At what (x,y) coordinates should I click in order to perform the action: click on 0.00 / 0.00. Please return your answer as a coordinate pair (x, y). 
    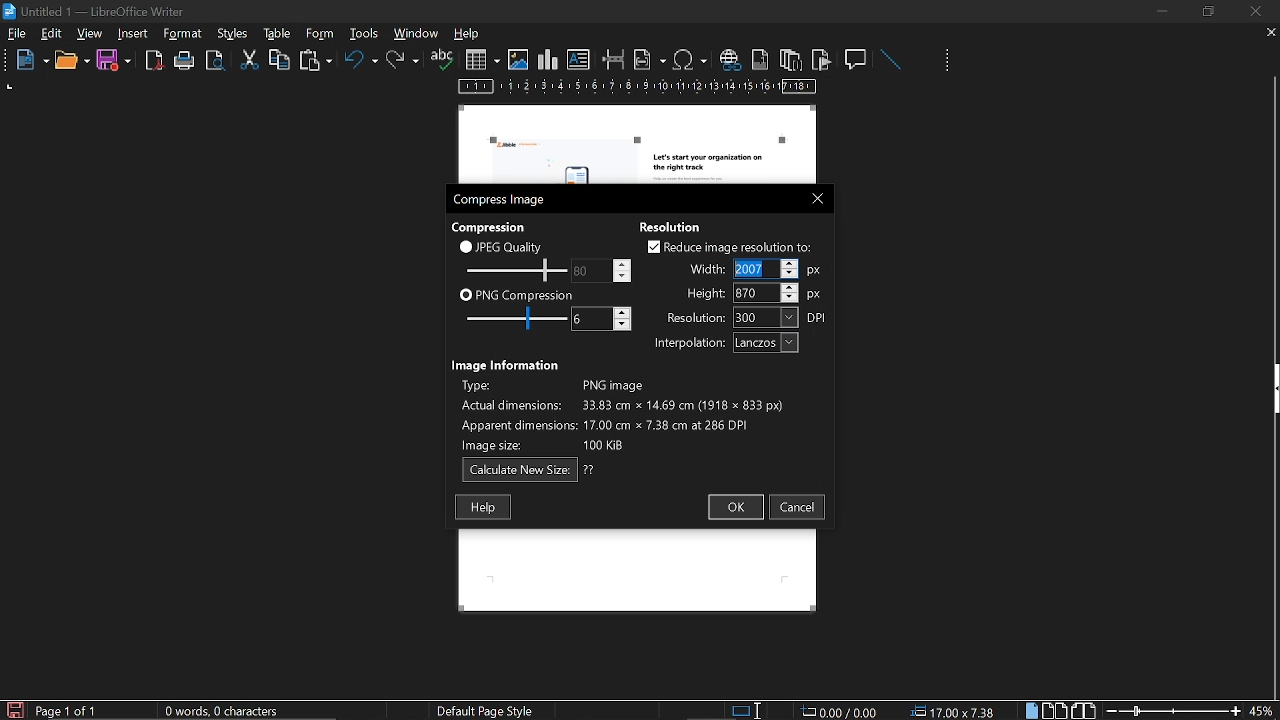
    Looking at the image, I should click on (842, 710).